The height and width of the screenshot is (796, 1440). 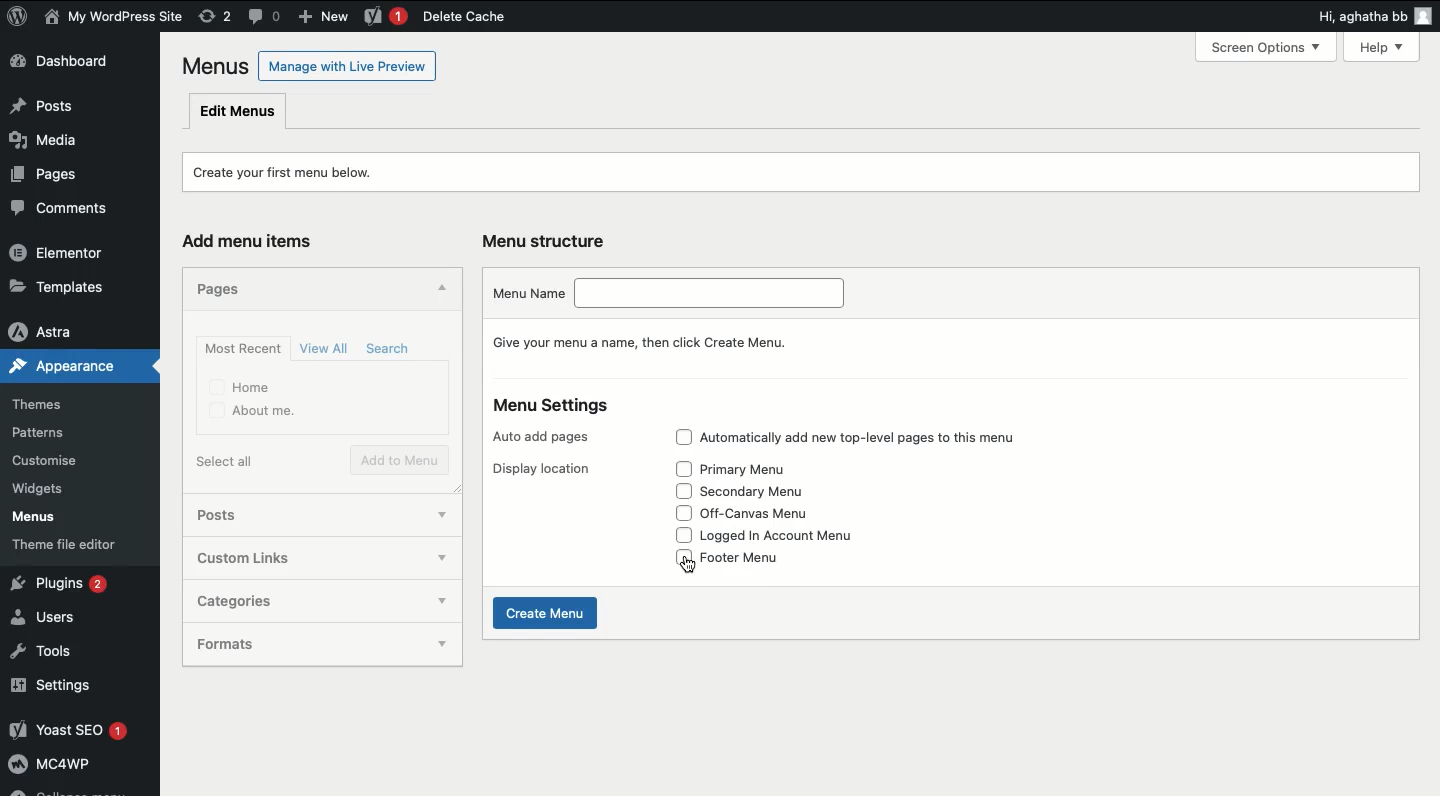 I want to click on Delete cache, so click(x=463, y=17).